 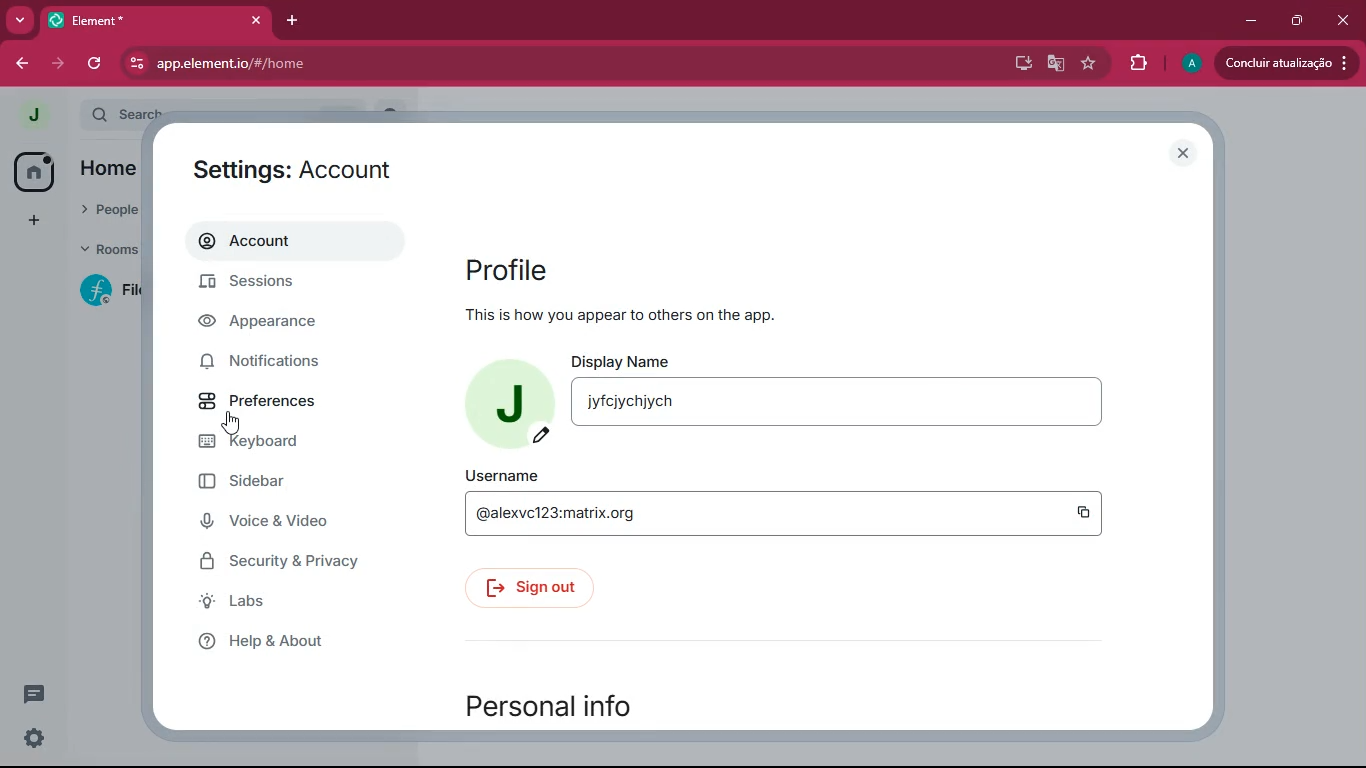 What do you see at coordinates (274, 323) in the screenshot?
I see `appearance` at bounding box center [274, 323].